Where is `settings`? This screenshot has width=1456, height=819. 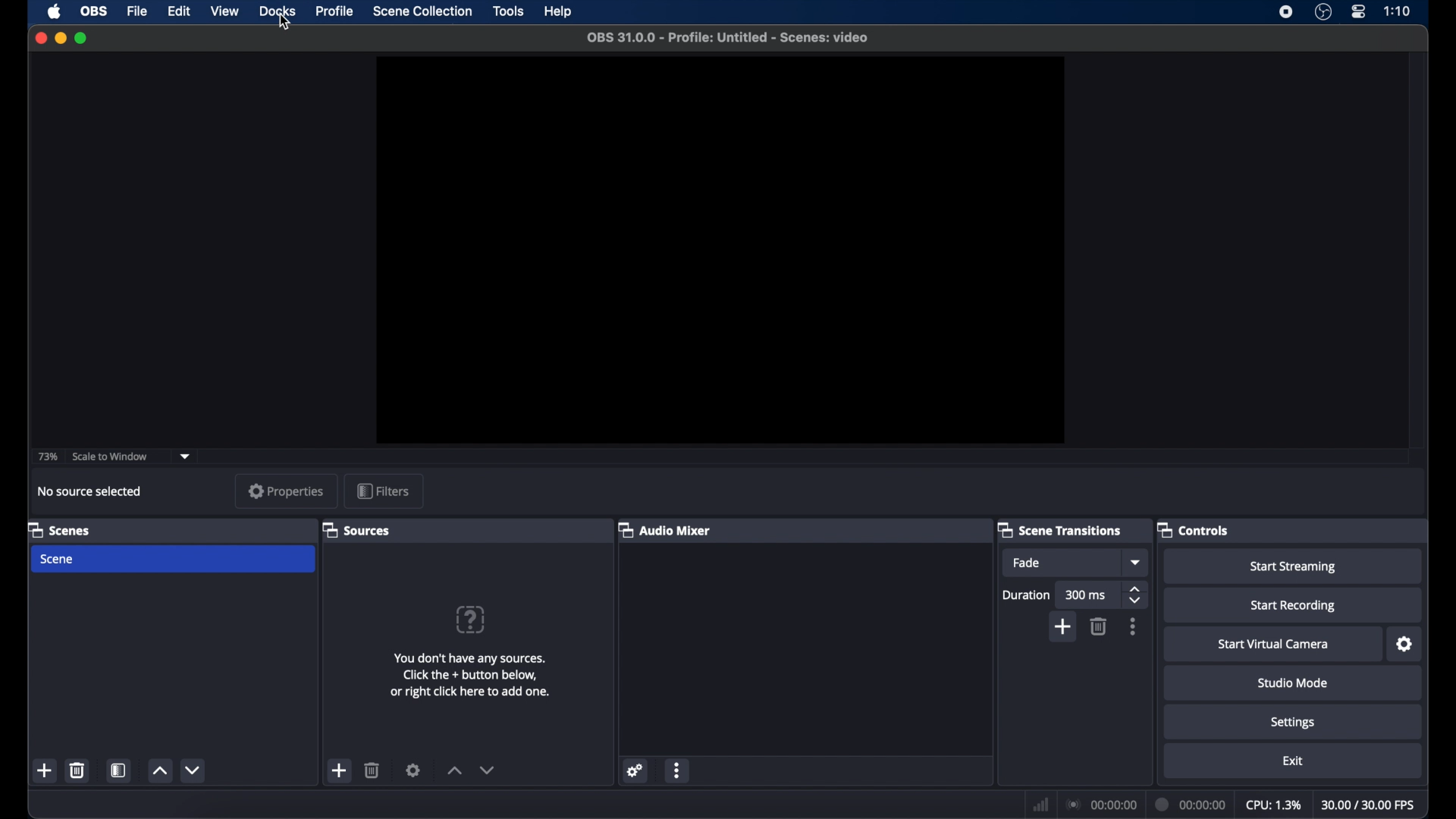
settings is located at coordinates (1293, 723).